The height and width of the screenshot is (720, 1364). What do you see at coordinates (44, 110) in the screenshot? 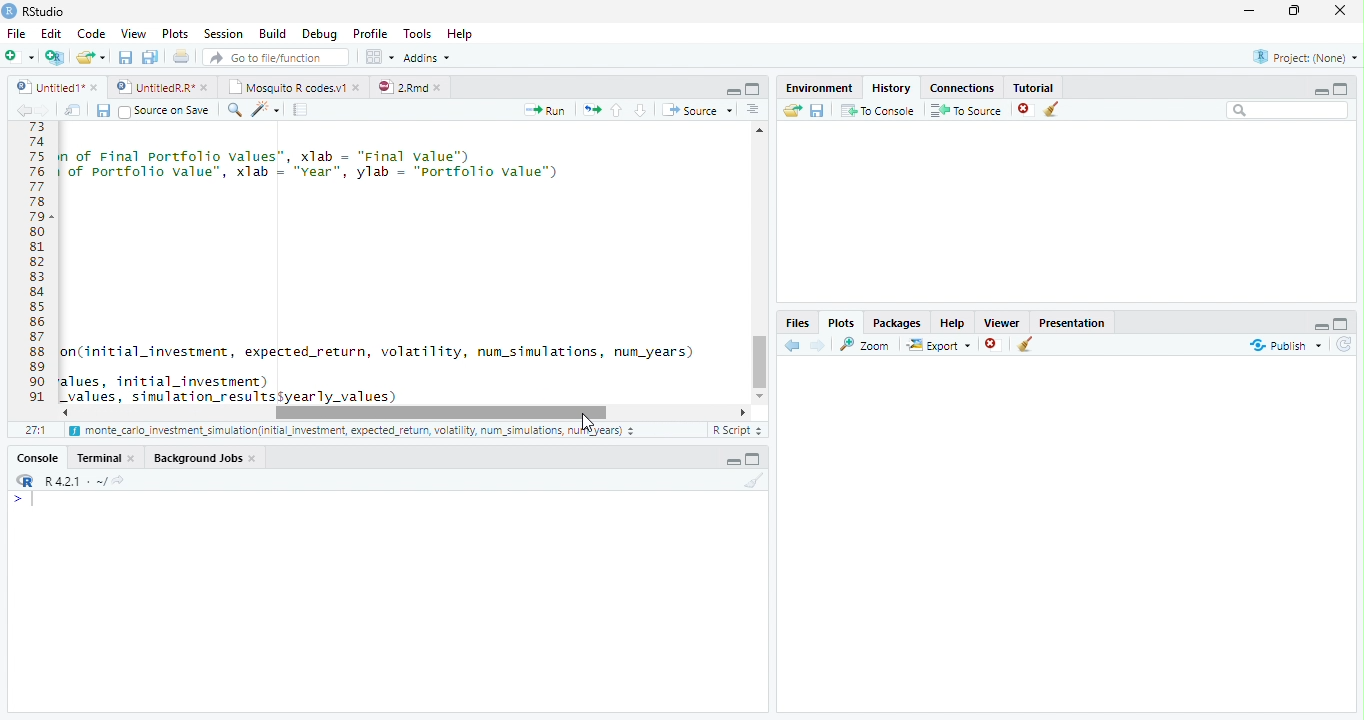
I see `next source location` at bounding box center [44, 110].